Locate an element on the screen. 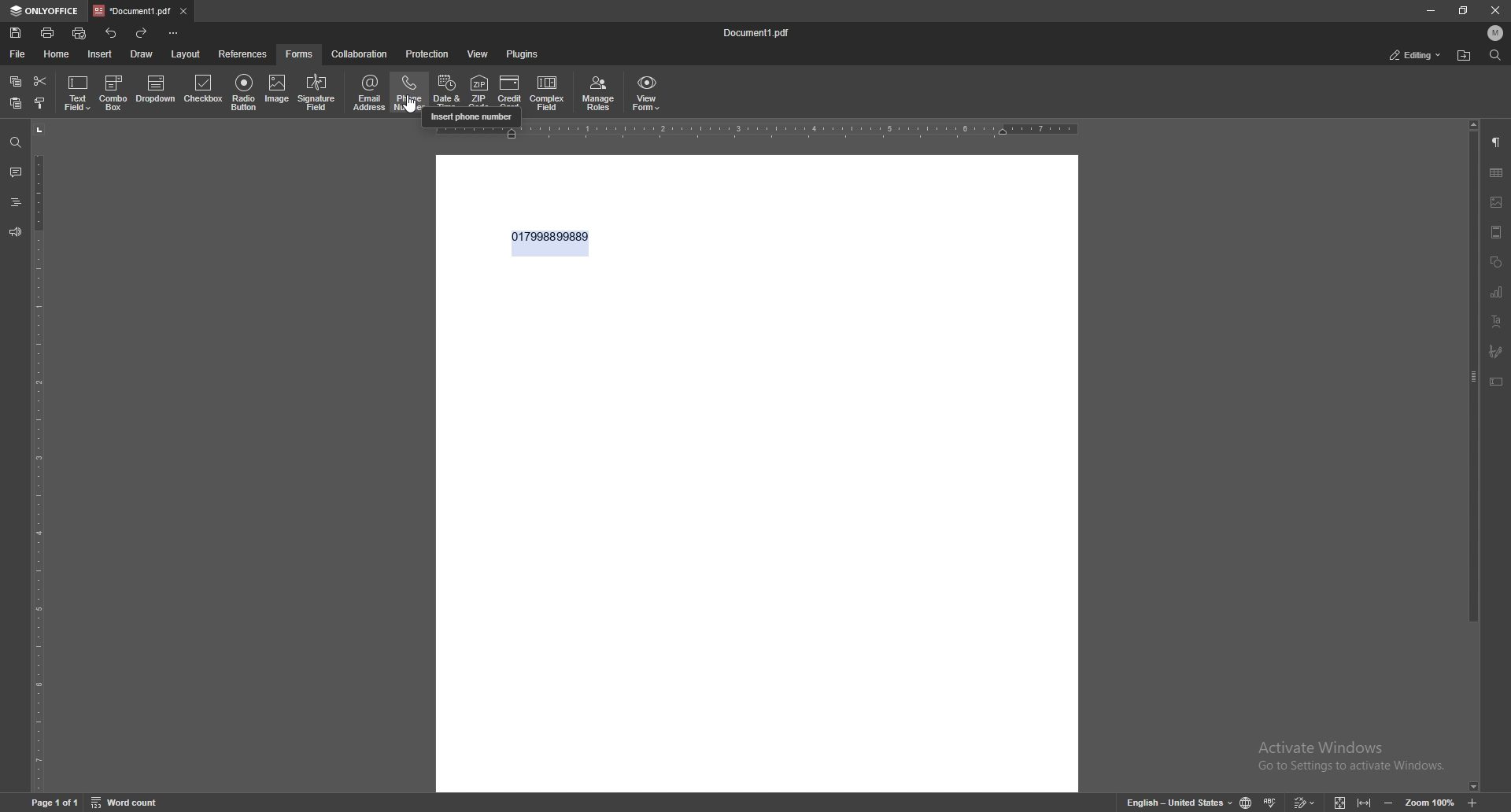  forms is located at coordinates (300, 54).